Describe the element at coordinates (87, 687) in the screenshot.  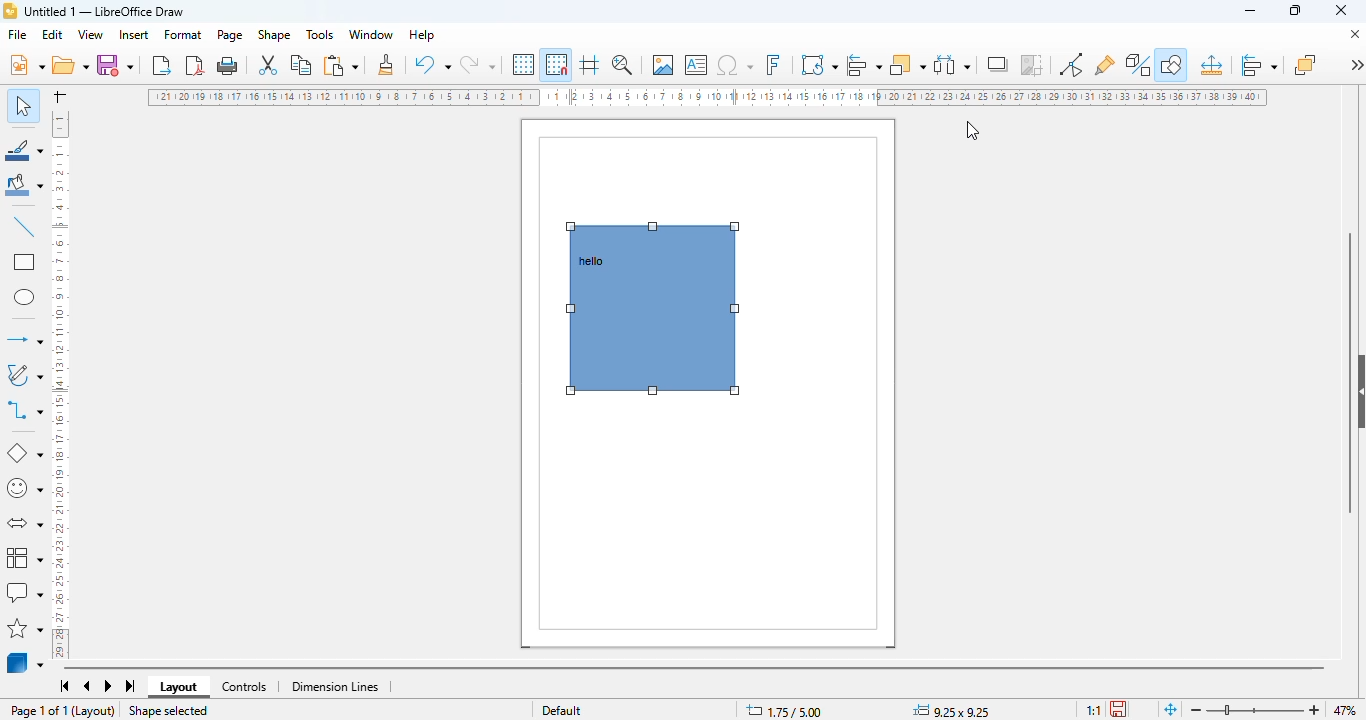
I see `scroll to previous sheet` at that location.